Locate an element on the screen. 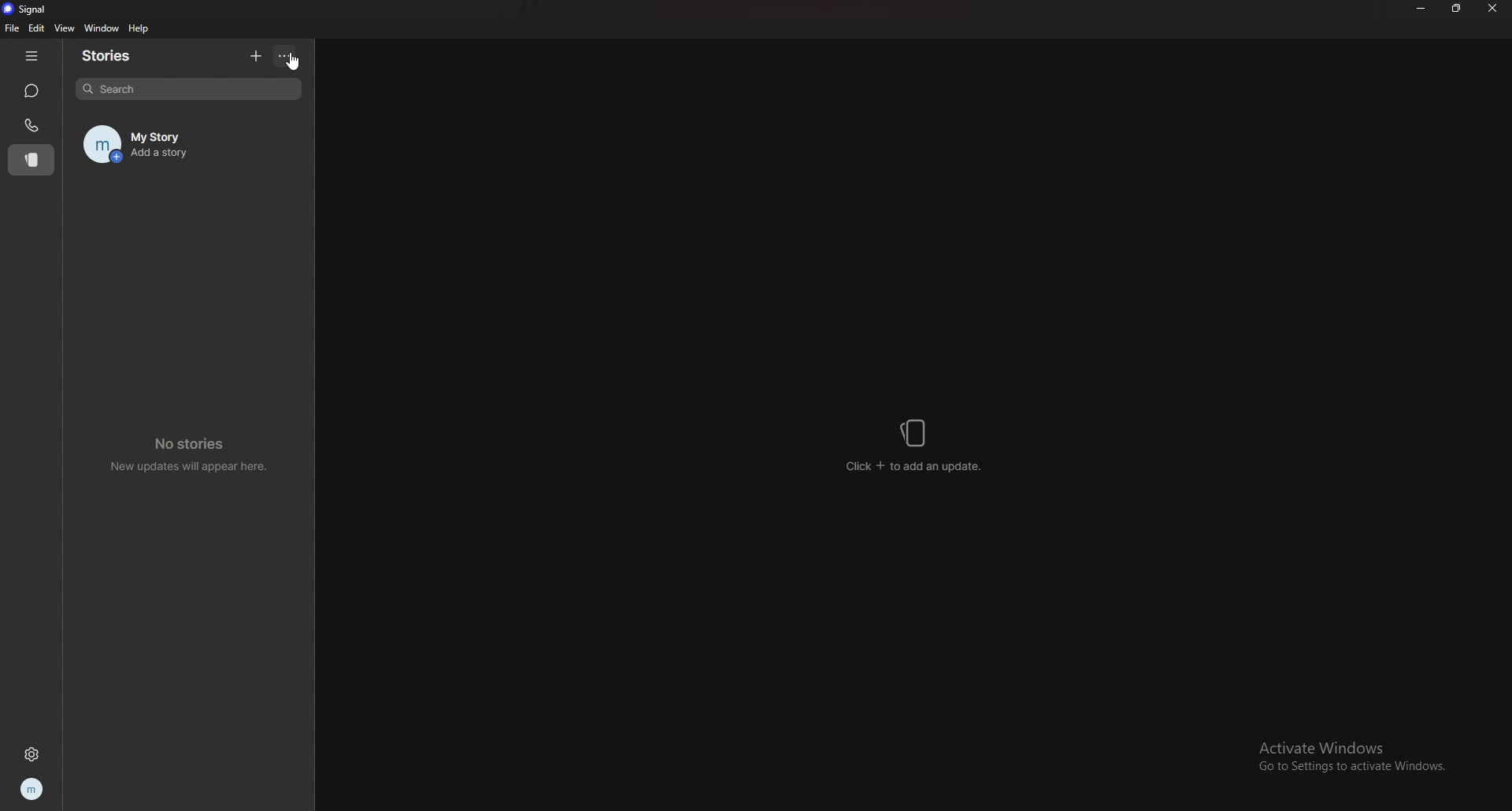  Activate Windows is located at coordinates (1340, 745).